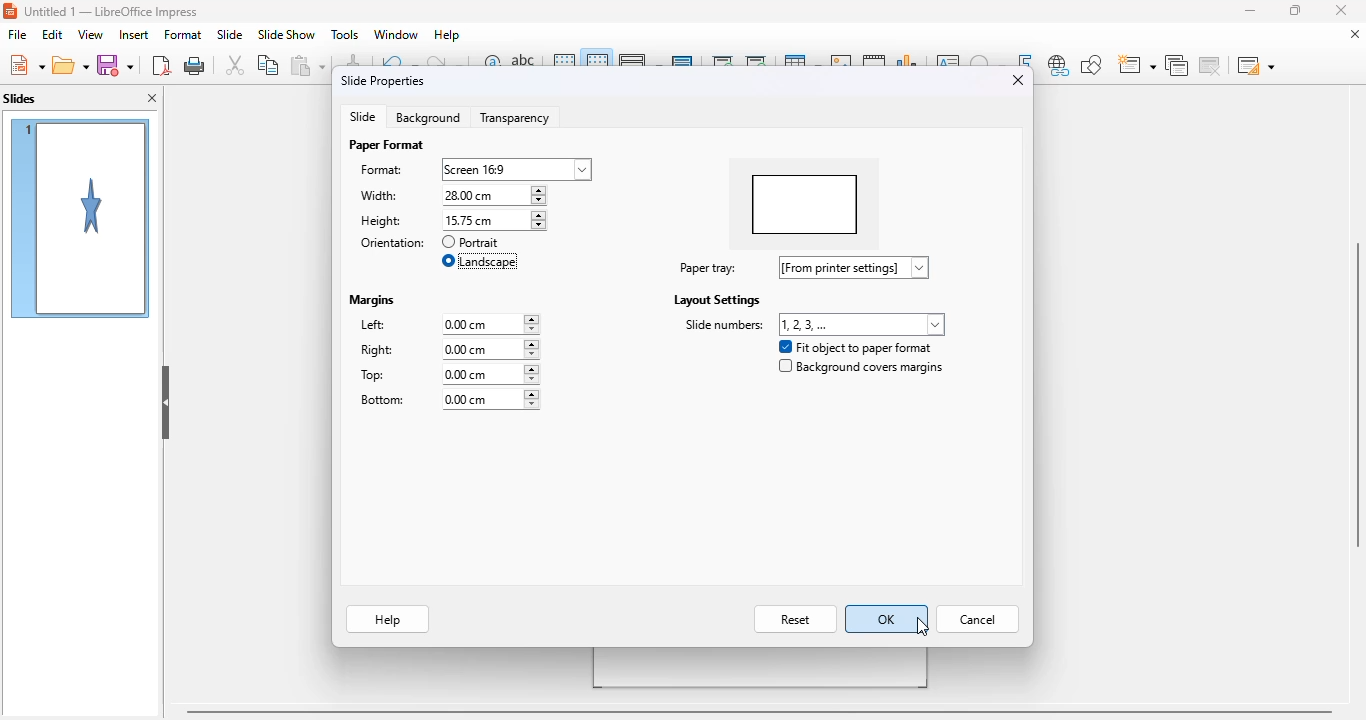 This screenshot has height=720, width=1366. What do you see at coordinates (1176, 65) in the screenshot?
I see `duplicate slide` at bounding box center [1176, 65].